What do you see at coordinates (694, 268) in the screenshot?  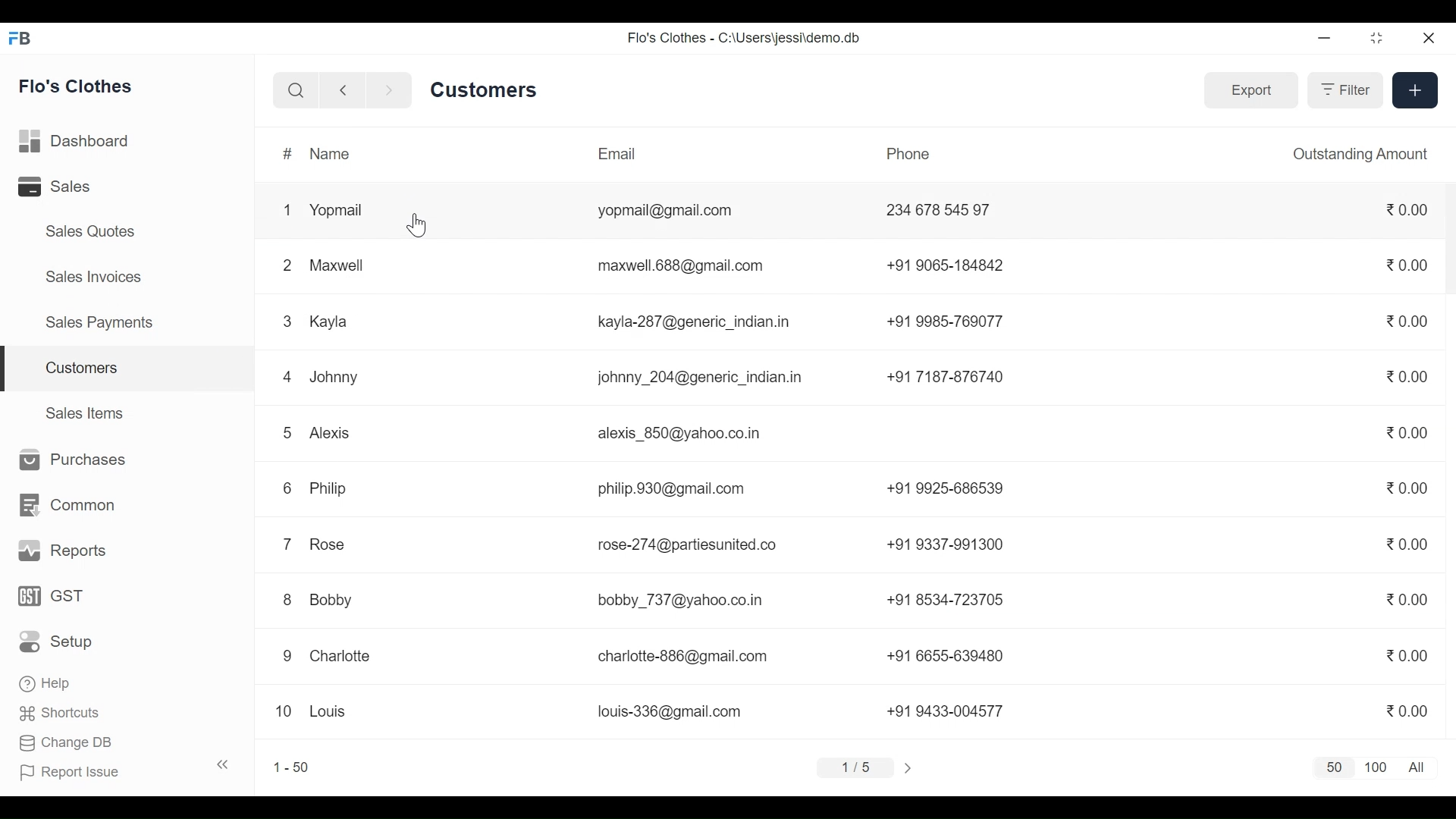 I see `maxwell.688@gmail.com` at bounding box center [694, 268].